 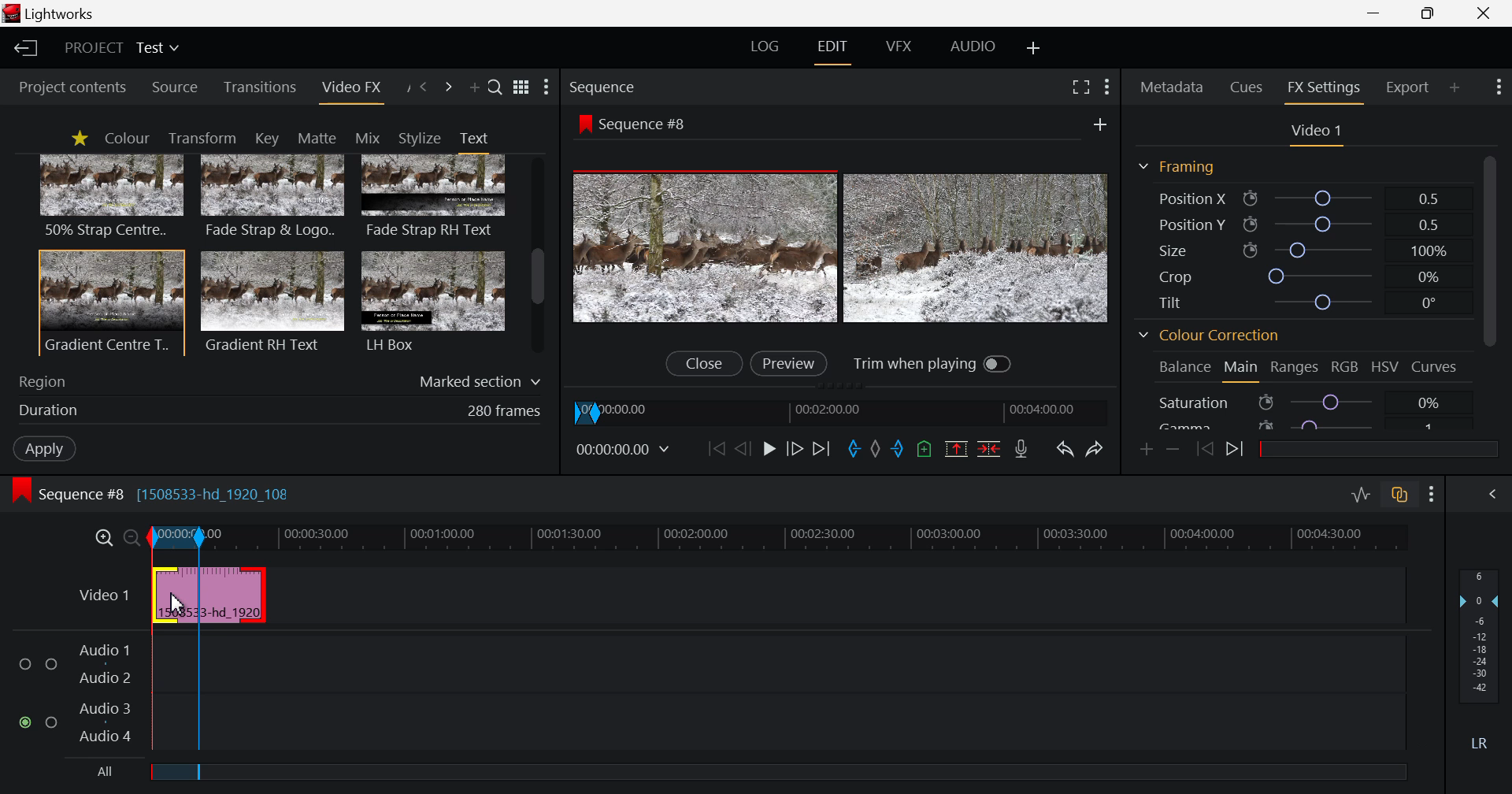 What do you see at coordinates (627, 450) in the screenshot?
I see `Frame Time` at bounding box center [627, 450].